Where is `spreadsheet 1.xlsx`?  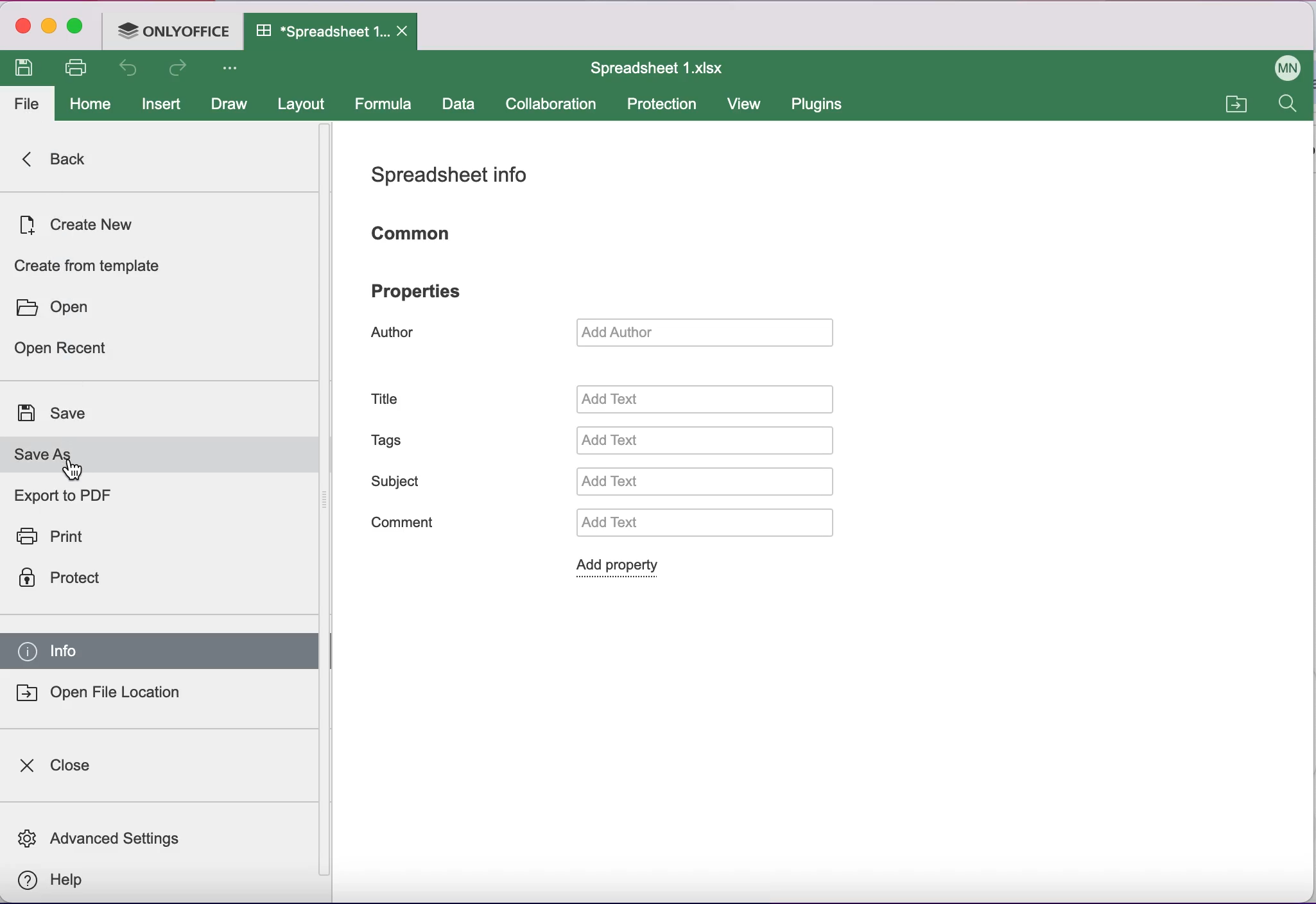 spreadsheet 1.xlsx is located at coordinates (666, 71).